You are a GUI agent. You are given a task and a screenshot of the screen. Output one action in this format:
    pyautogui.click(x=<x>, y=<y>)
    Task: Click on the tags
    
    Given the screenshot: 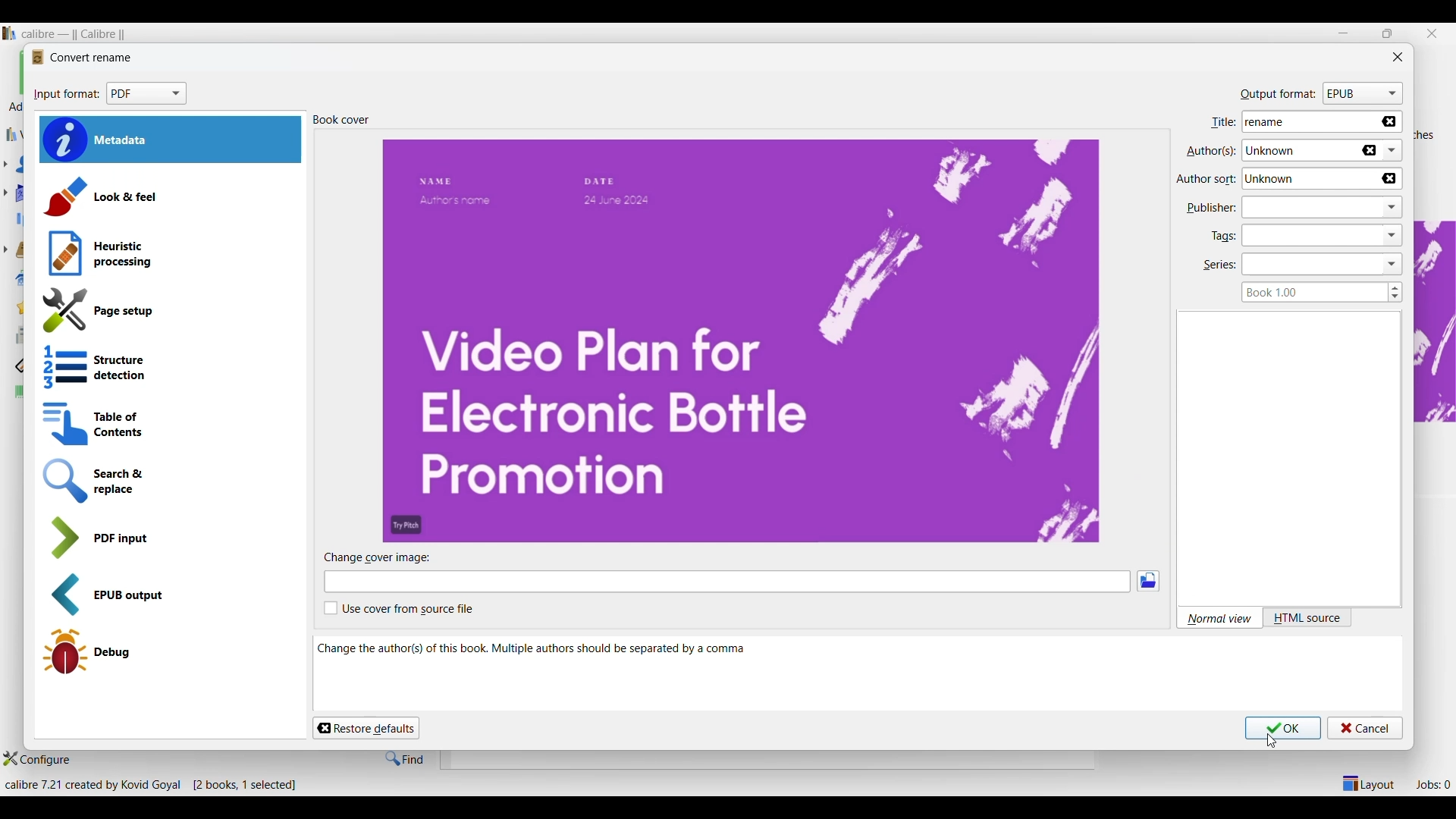 What is the action you would take?
    pyautogui.click(x=1219, y=238)
    